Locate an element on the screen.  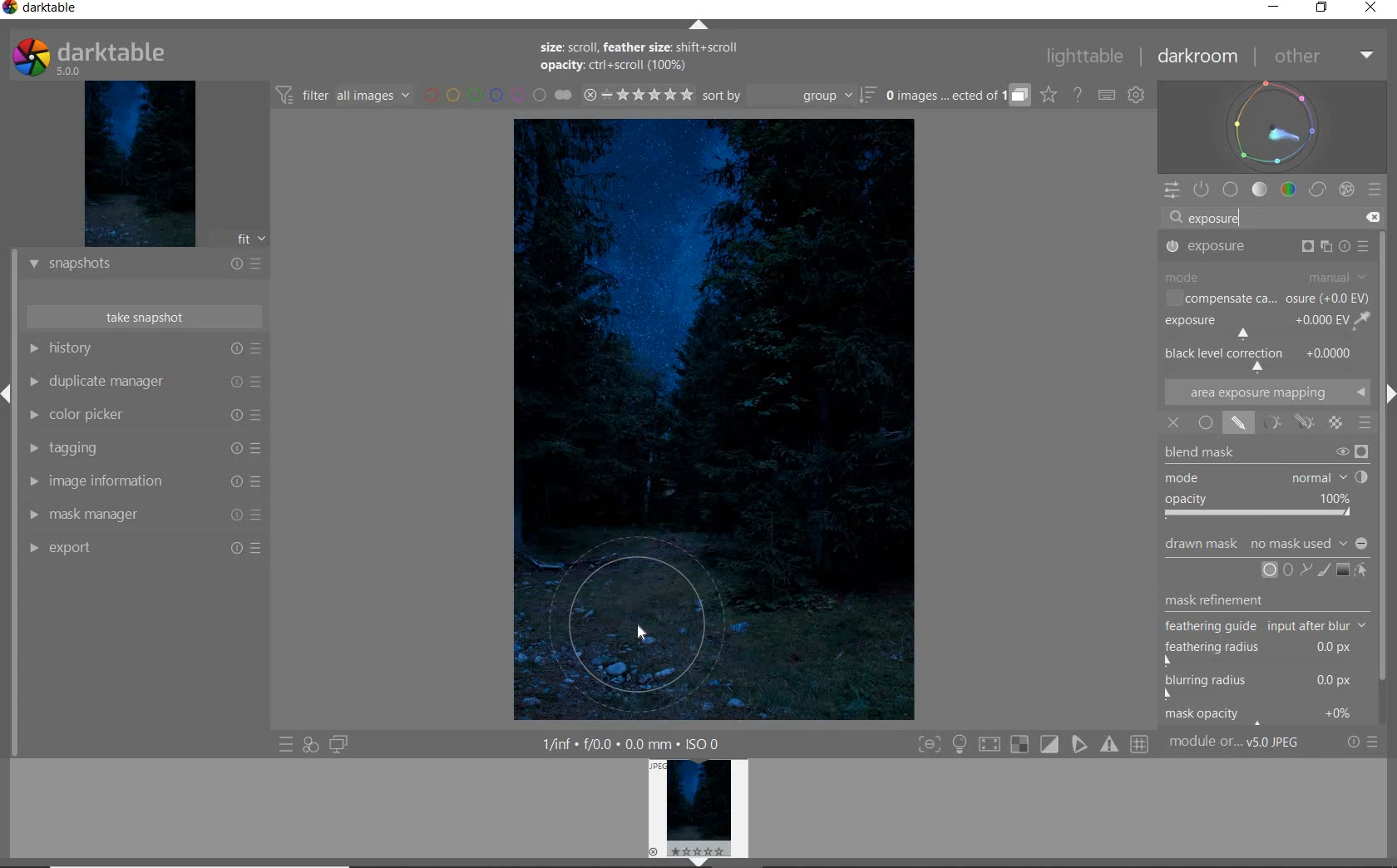
DARKROOM is located at coordinates (1197, 57).